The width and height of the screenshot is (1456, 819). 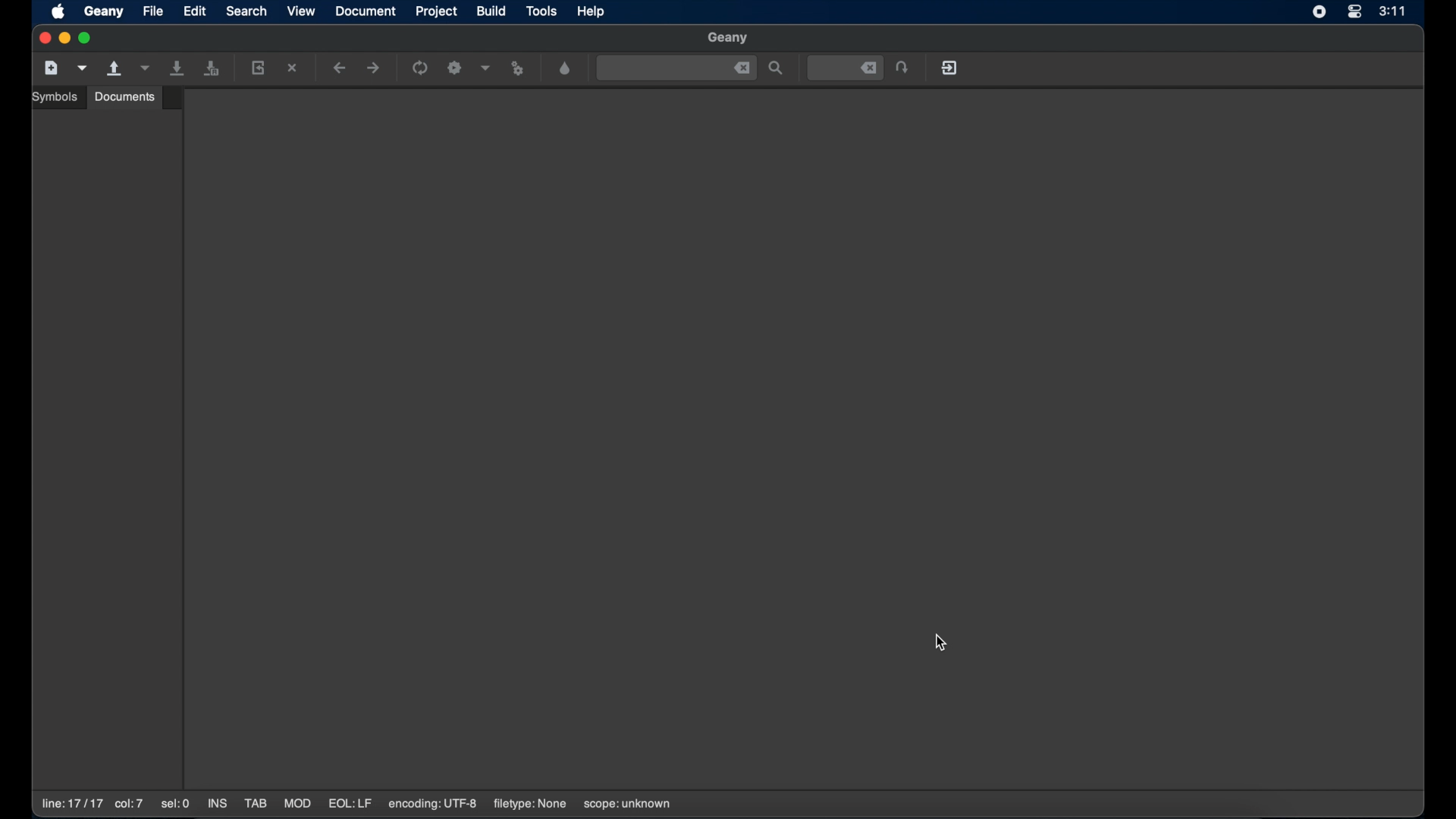 I want to click on view, so click(x=302, y=11).